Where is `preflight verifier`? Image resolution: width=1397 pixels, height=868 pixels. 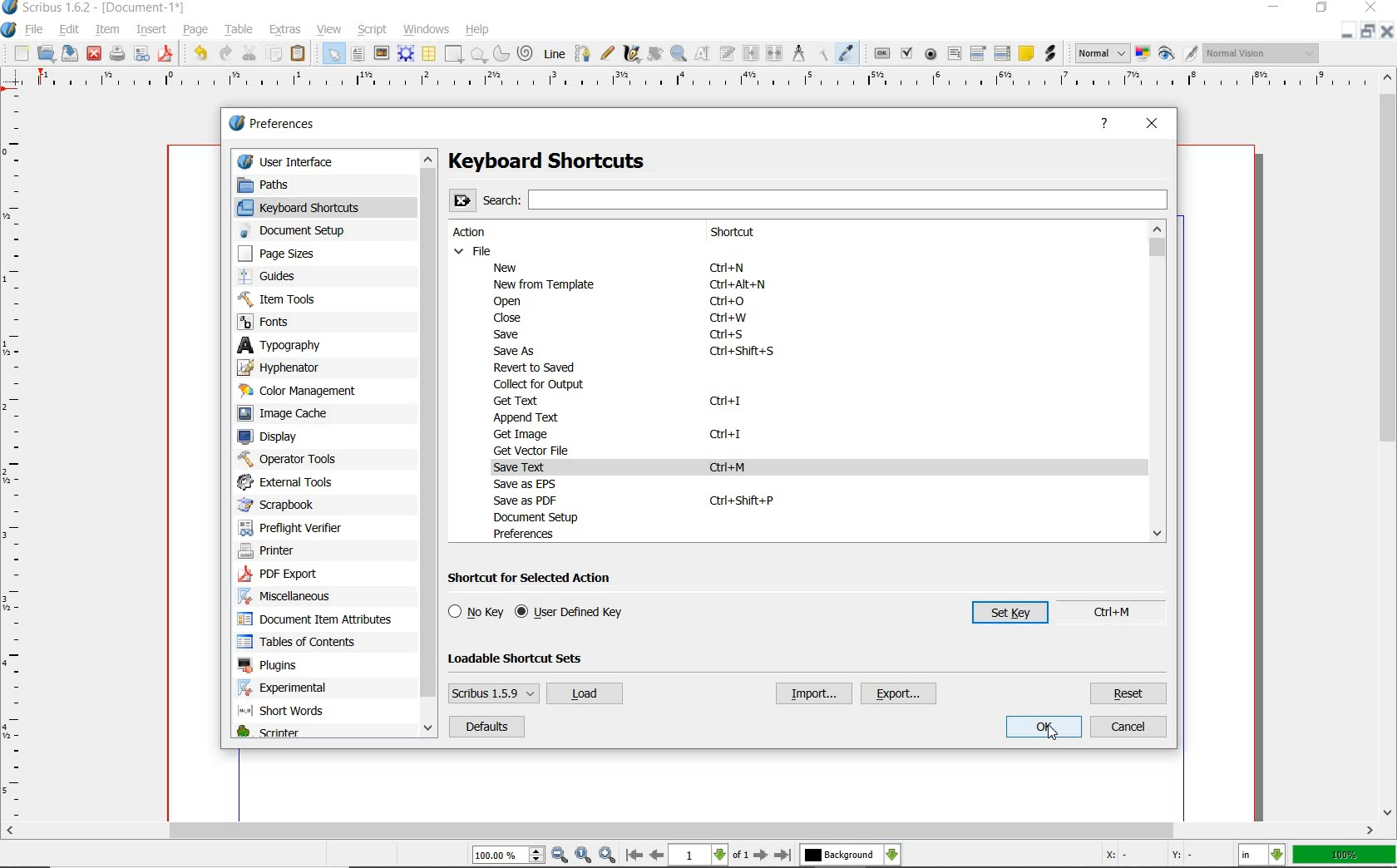
preflight verifier is located at coordinates (291, 525).